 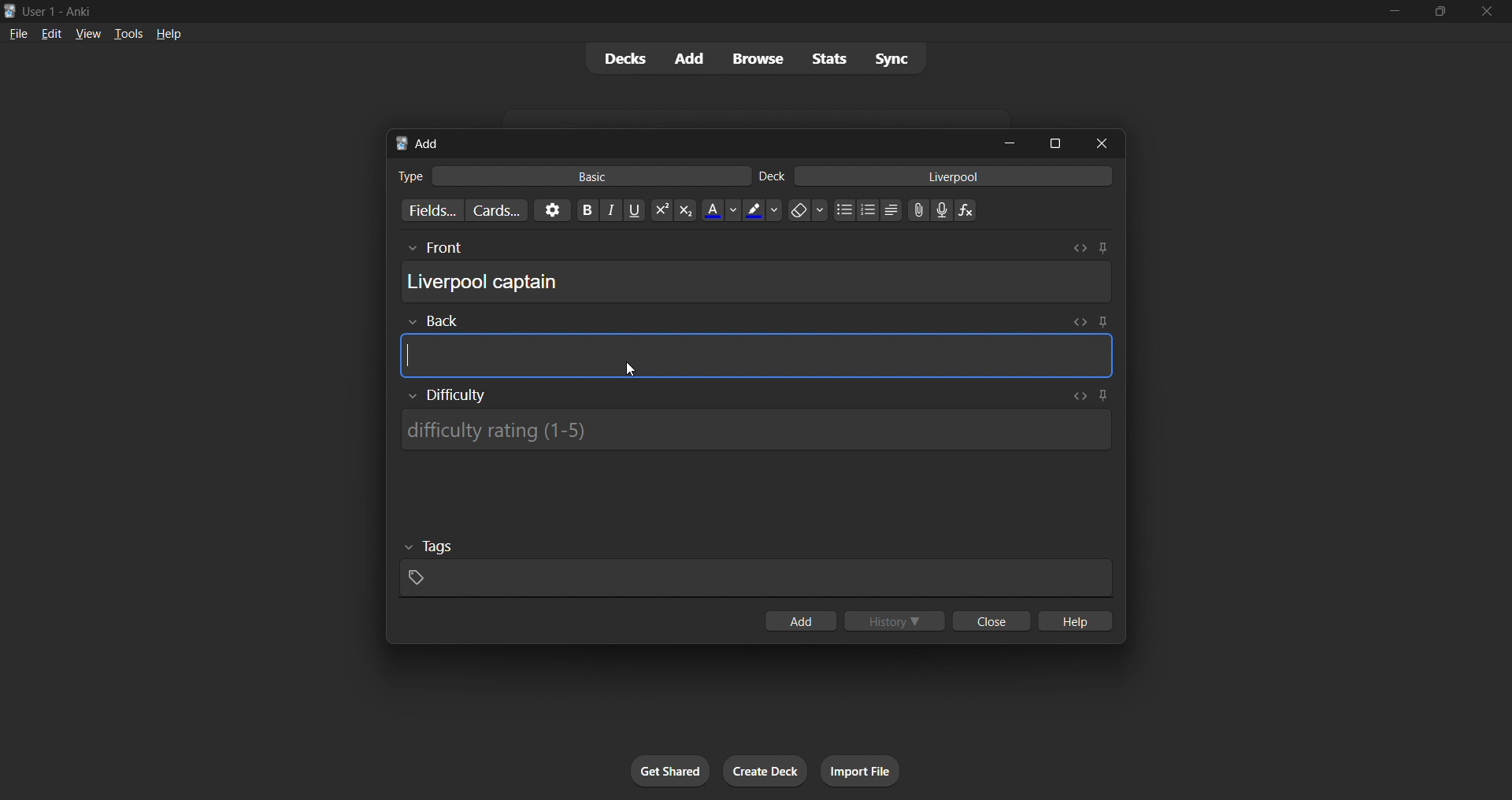 I want to click on Bold, so click(x=587, y=210).